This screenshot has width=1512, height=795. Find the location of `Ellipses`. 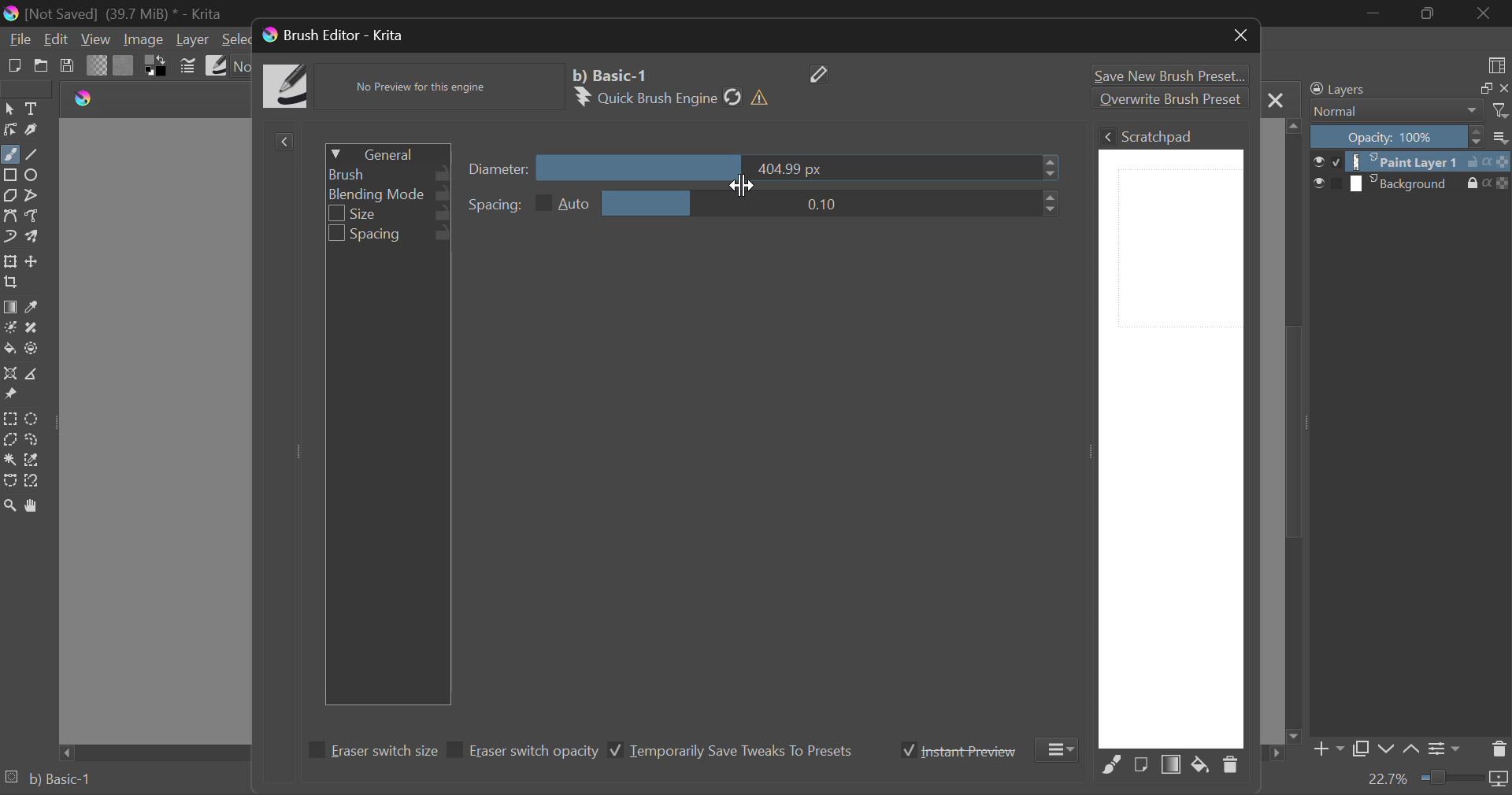

Ellipses is located at coordinates (34, 176).